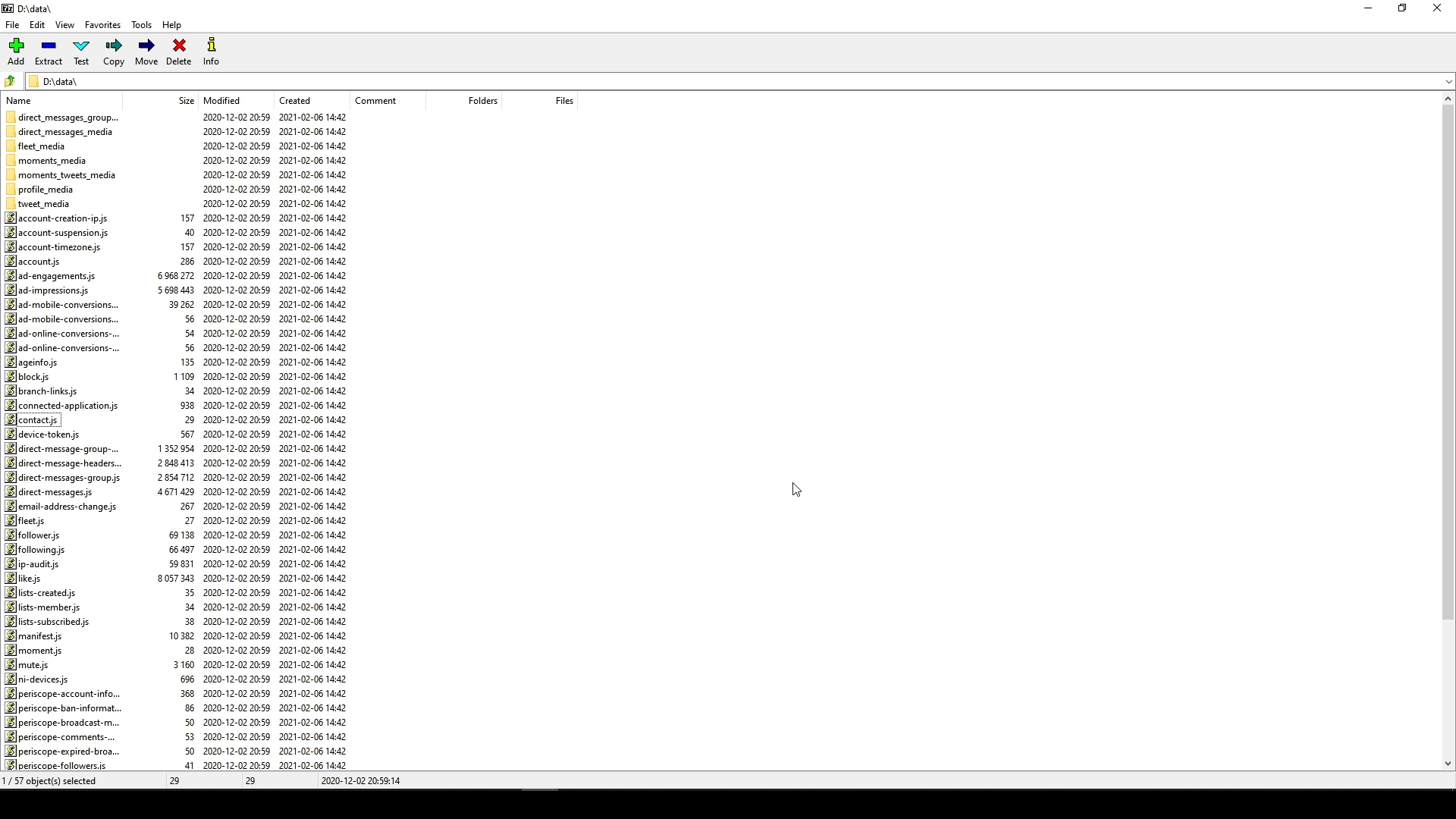 The height and width of the screenshot is (819, 1456). Describe the element at coordinates (45, 391) in the screenshot. I see `branch-links.js` at that location.